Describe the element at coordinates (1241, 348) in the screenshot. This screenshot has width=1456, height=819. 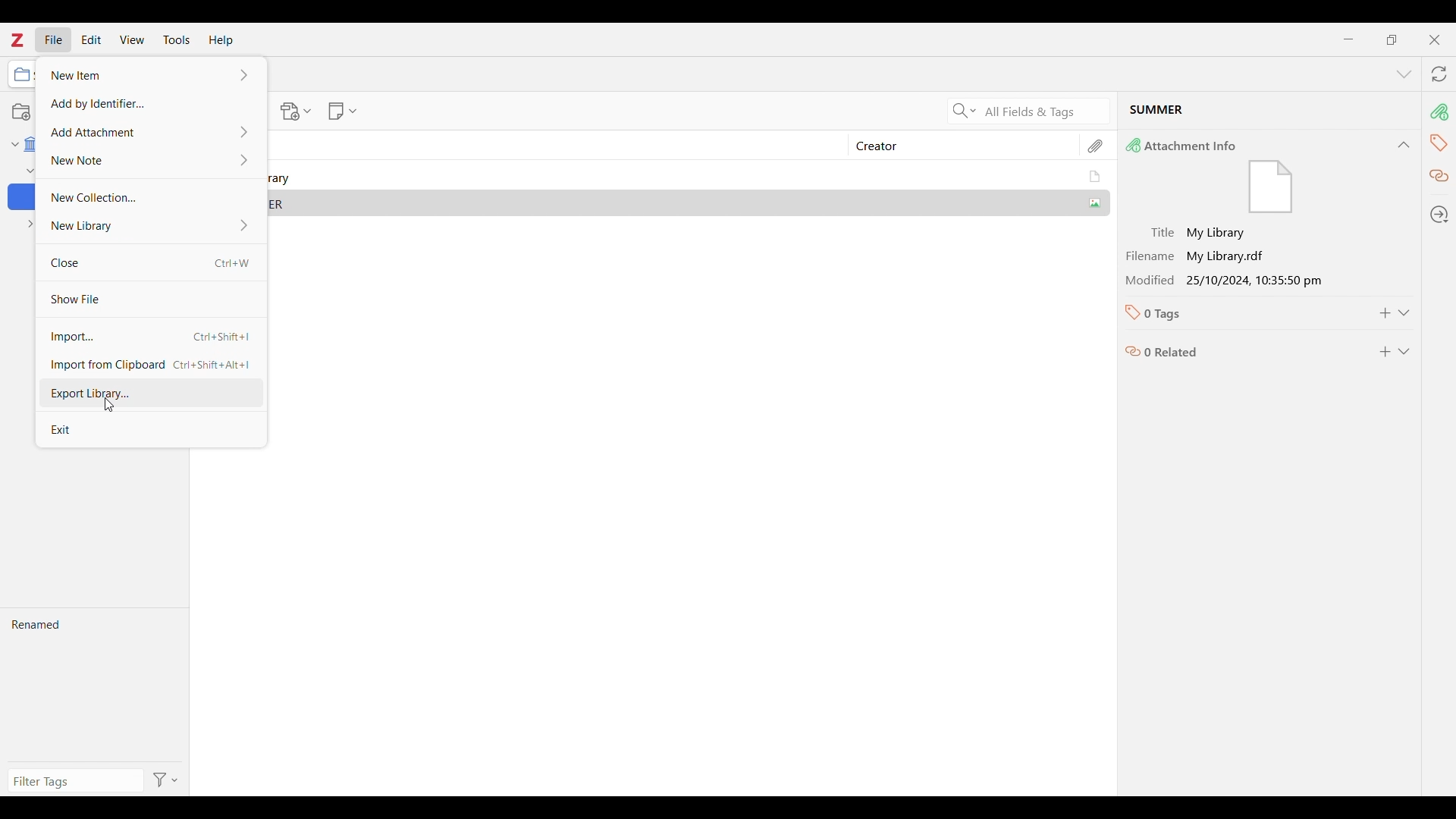
I see `0 related` at that location.